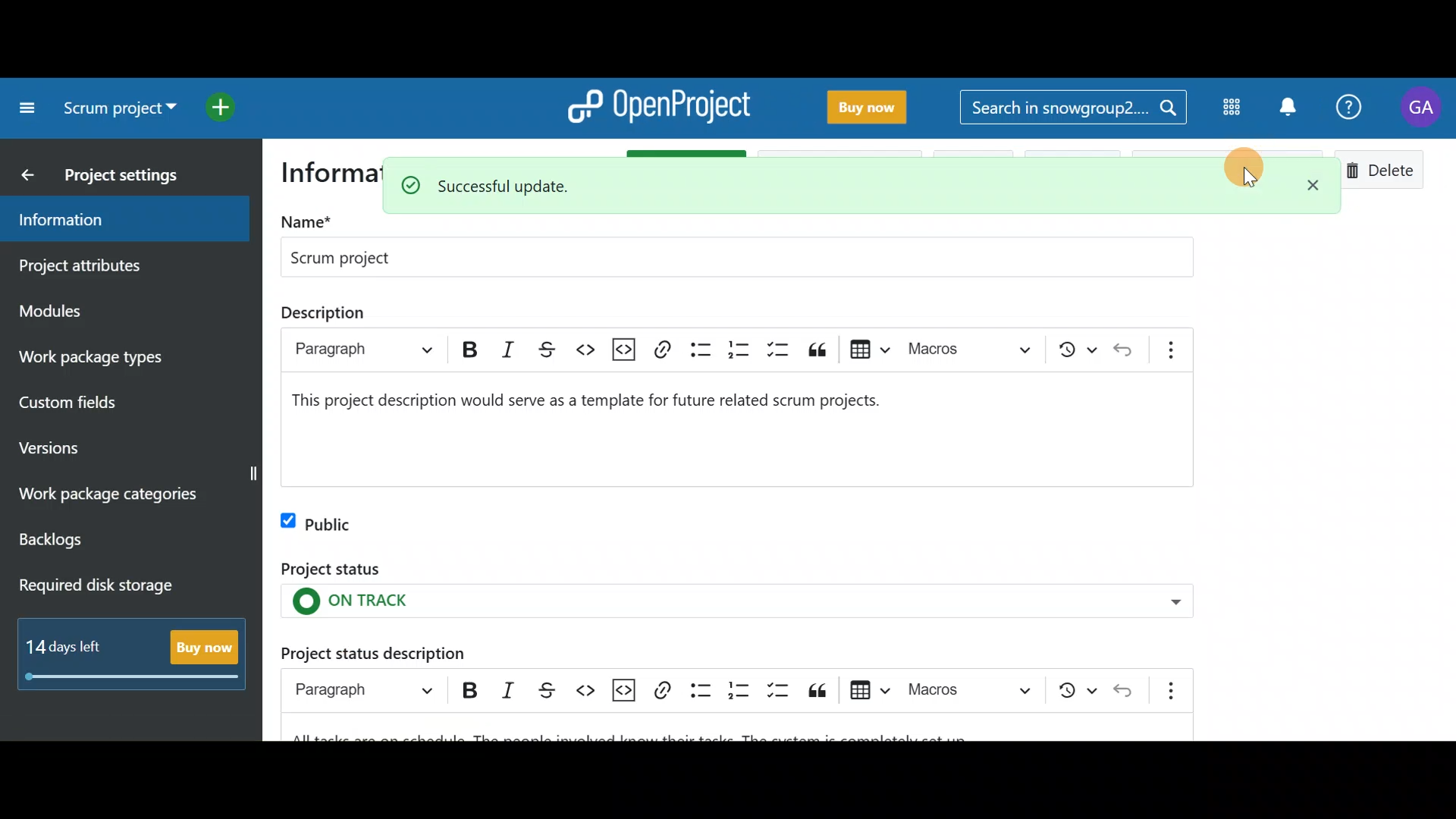 Image resolution: width=1456 pixels, height=819 pixels. What do you see at coordinates (328, 523) in the screenshot?
I see `Public` at bounding box center [328, 523].